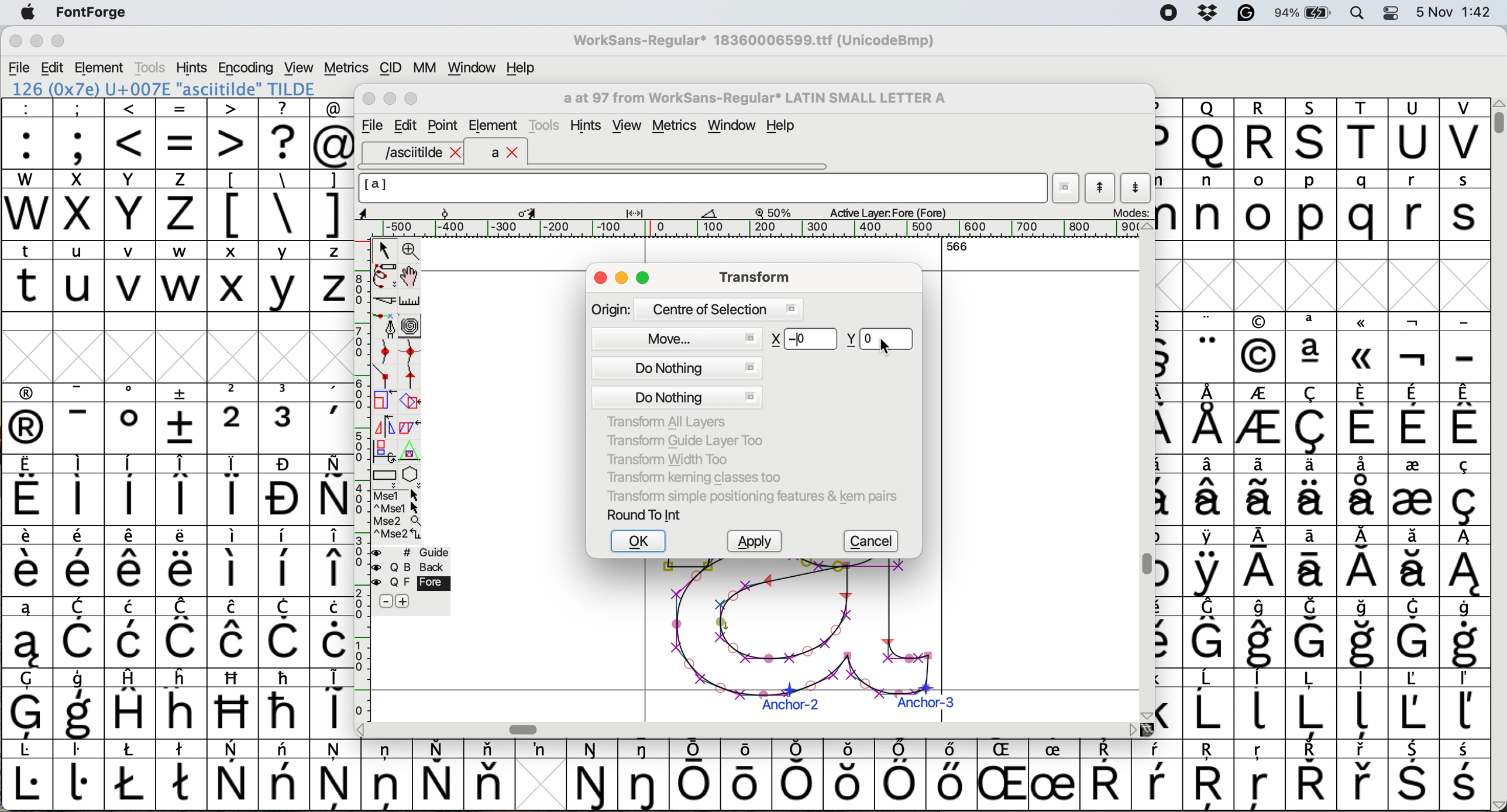 The height and width of the screenshot is (812, 1507). What do you see at coordinates (1209, 632) in the screenshot?
I see `symbol` at bounding box center [1209, 632].